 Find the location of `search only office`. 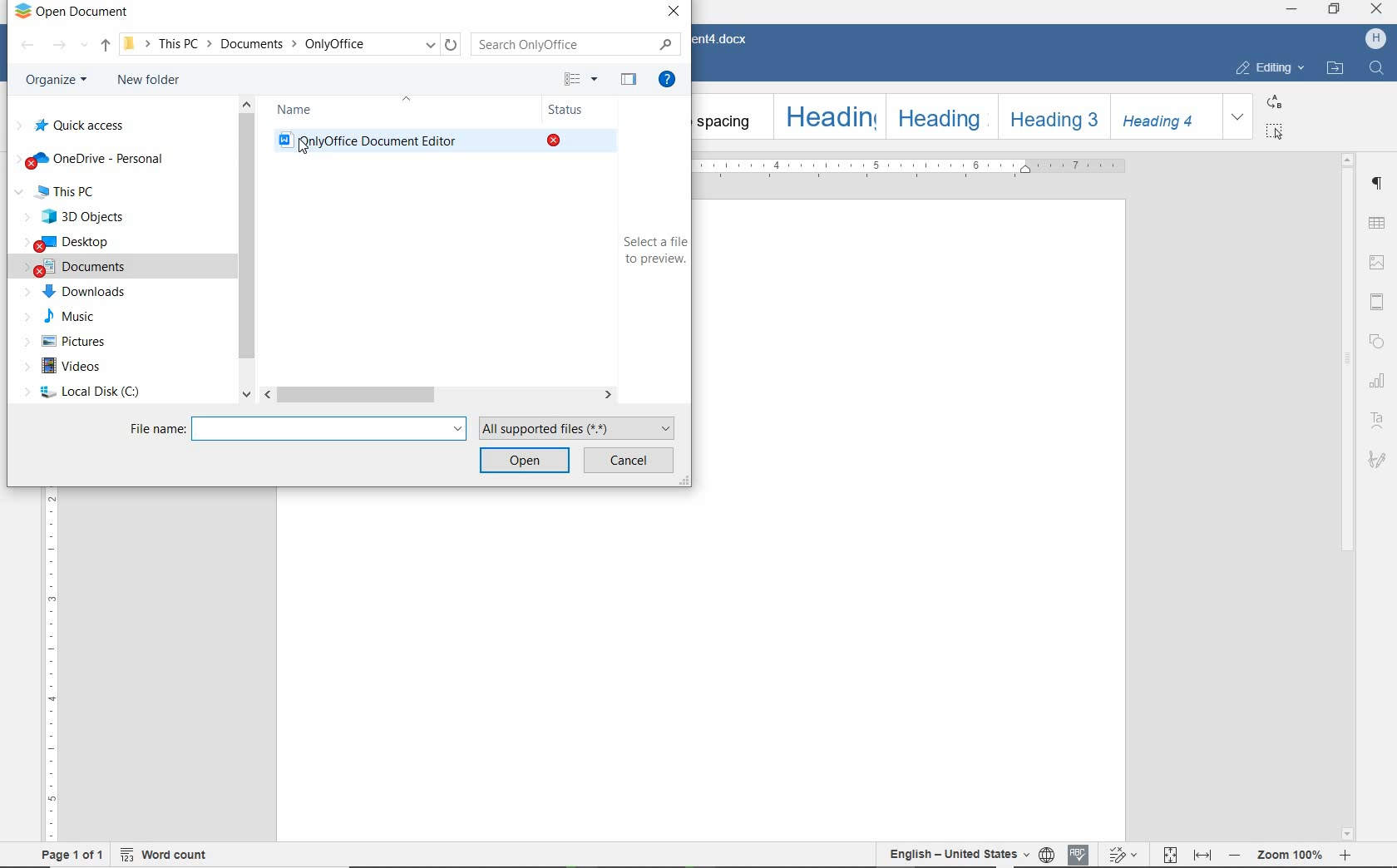

search only office is located at coordinates (576, 44).